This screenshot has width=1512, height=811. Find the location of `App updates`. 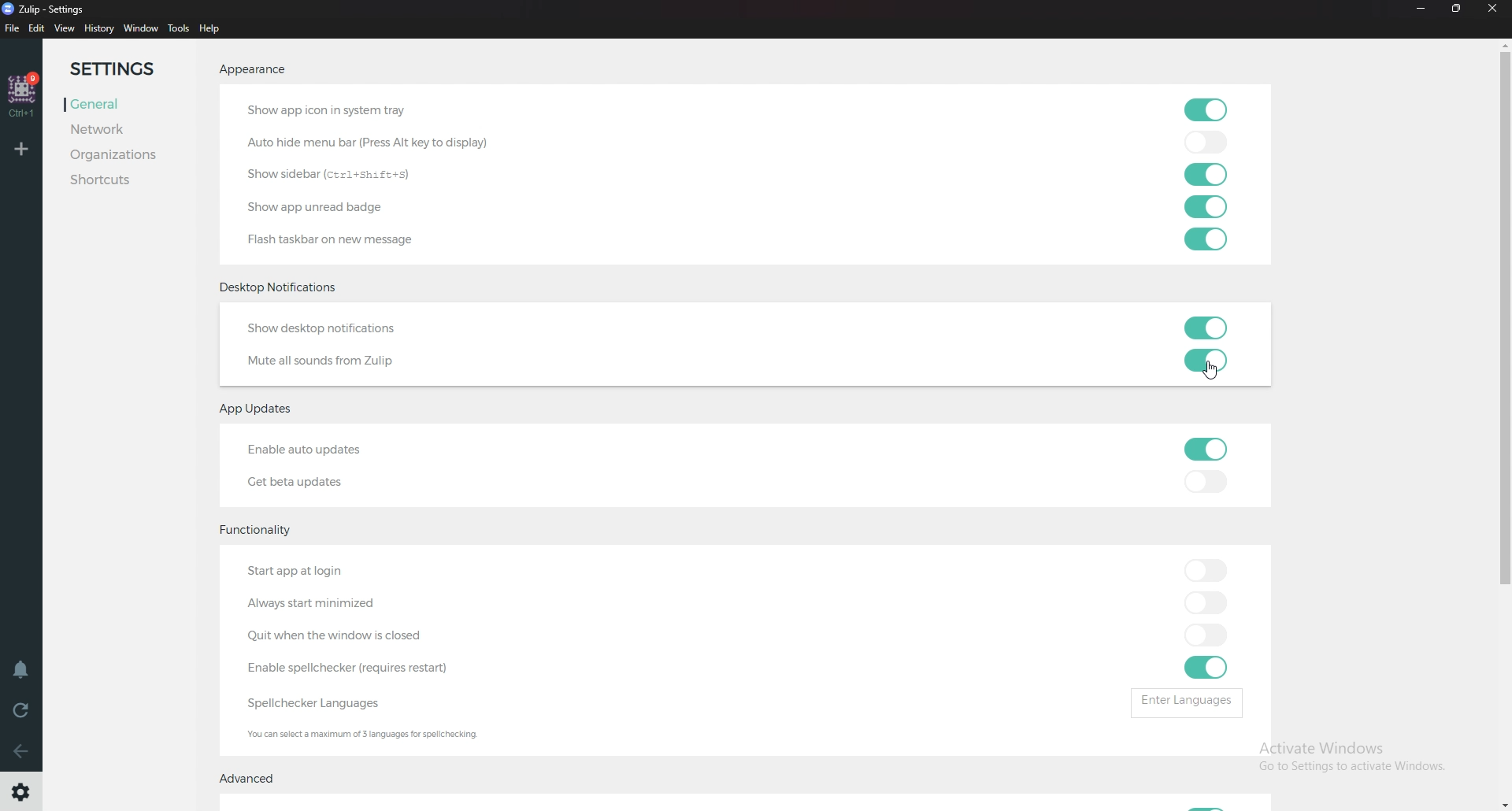

App updates is located at coordinates (263, 409).